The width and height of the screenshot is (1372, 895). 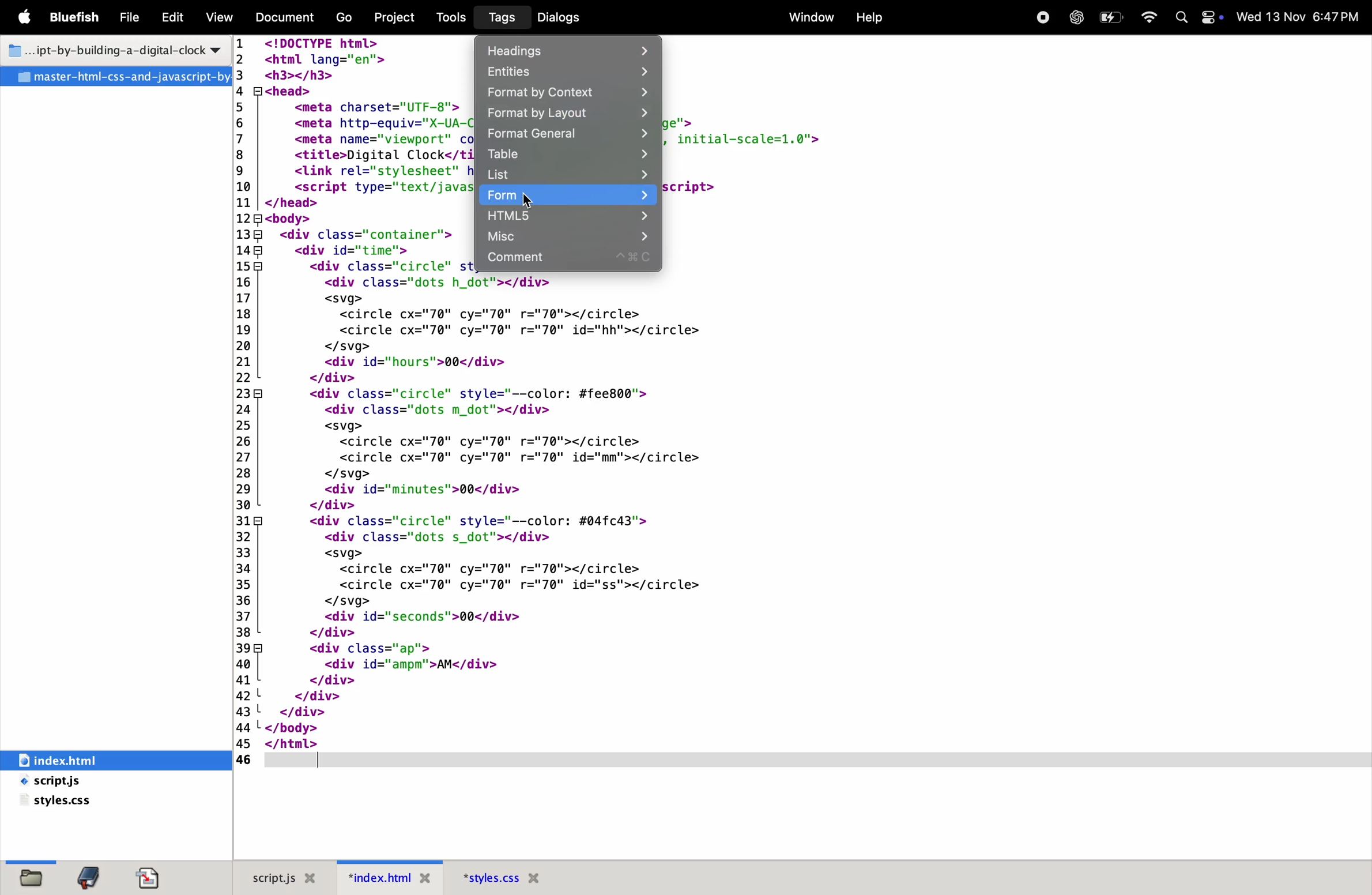 What do you see at coordinates (425, 880) in the screenshot?
I see `Close file` at bounding box center [425, 880].